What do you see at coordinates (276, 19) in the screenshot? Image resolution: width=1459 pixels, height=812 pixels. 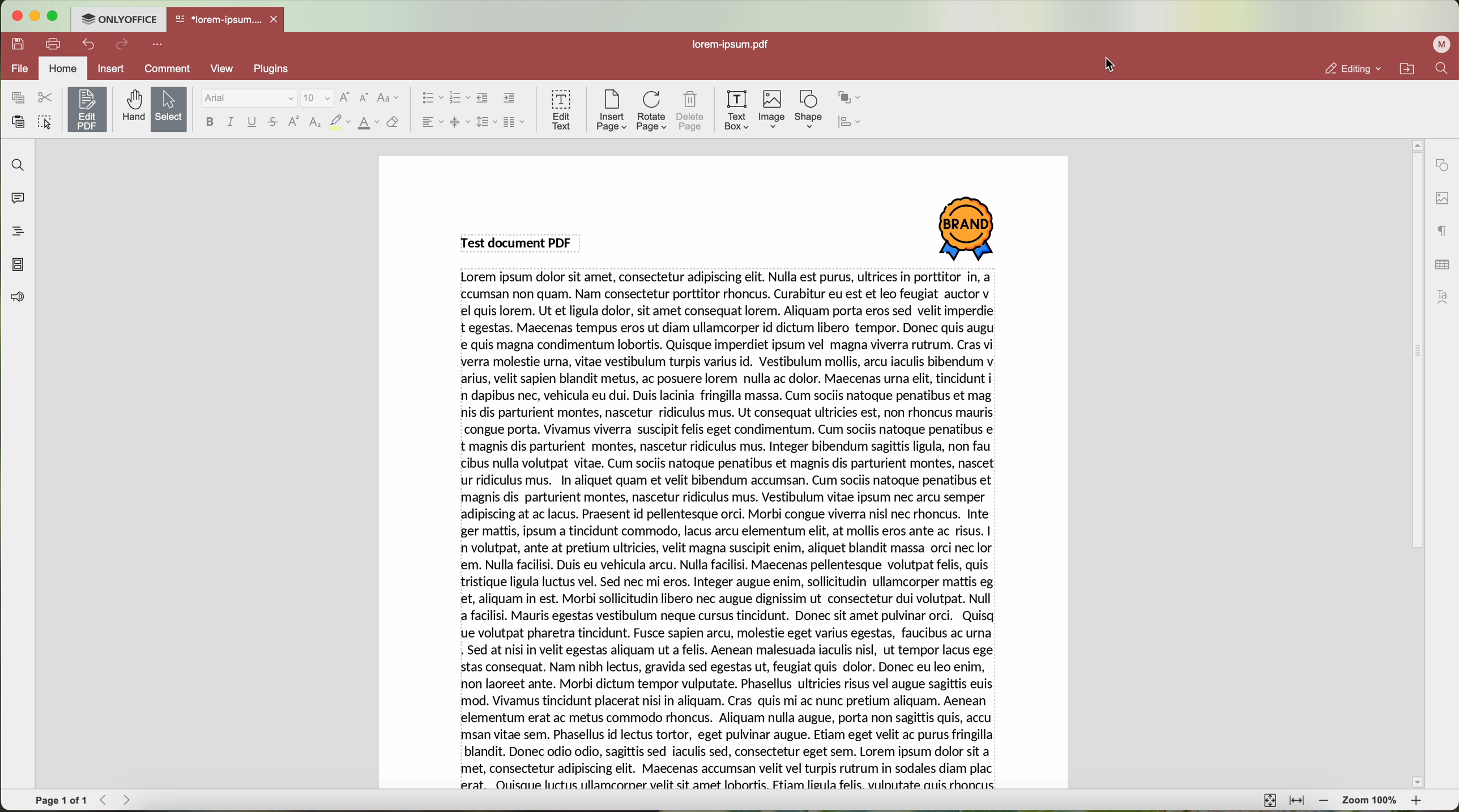 I see `close` at bounding box center [276, 19].